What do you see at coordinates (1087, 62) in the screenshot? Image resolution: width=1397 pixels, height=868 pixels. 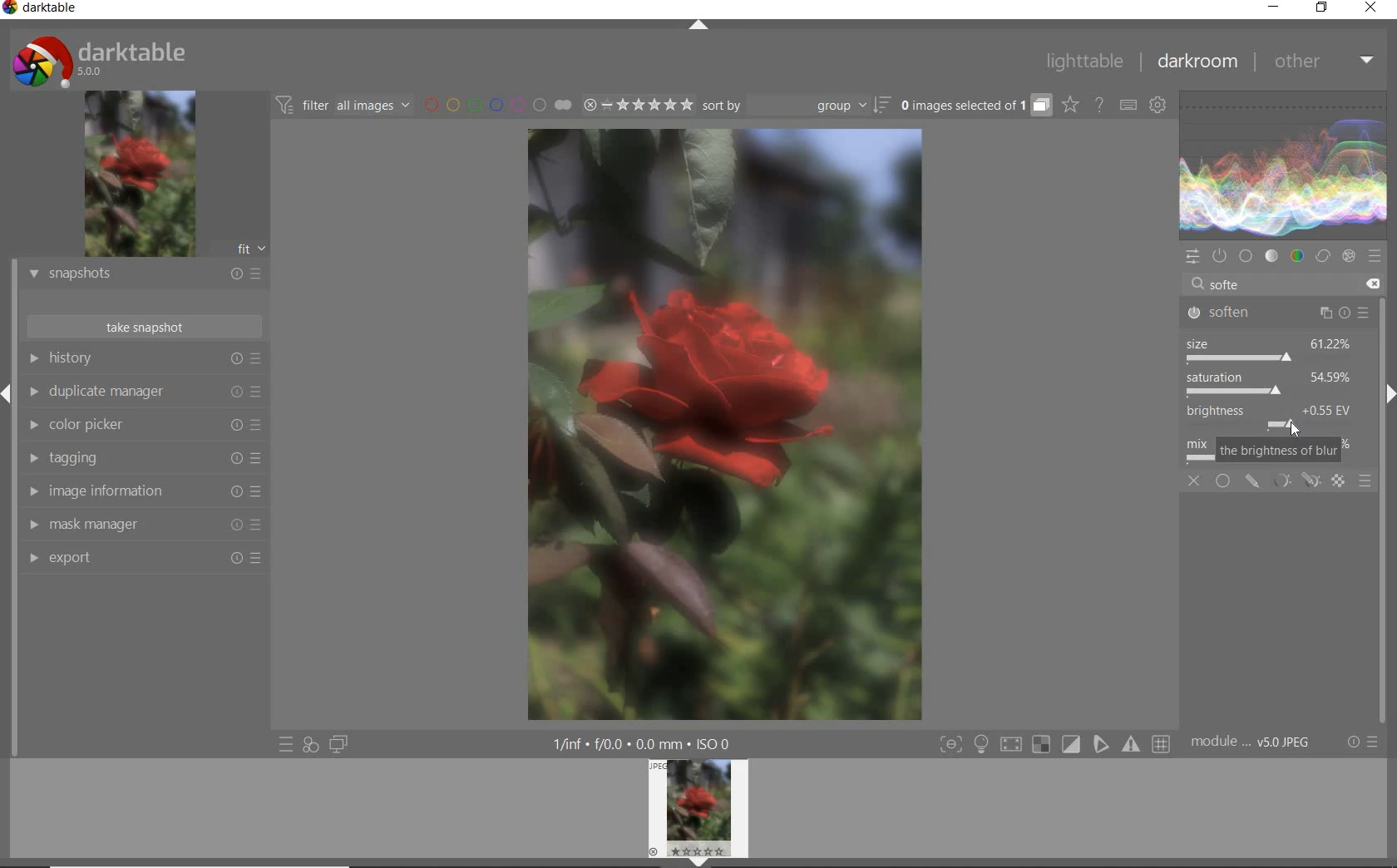 I see `lighttable` at bounding box center [1087, 62].